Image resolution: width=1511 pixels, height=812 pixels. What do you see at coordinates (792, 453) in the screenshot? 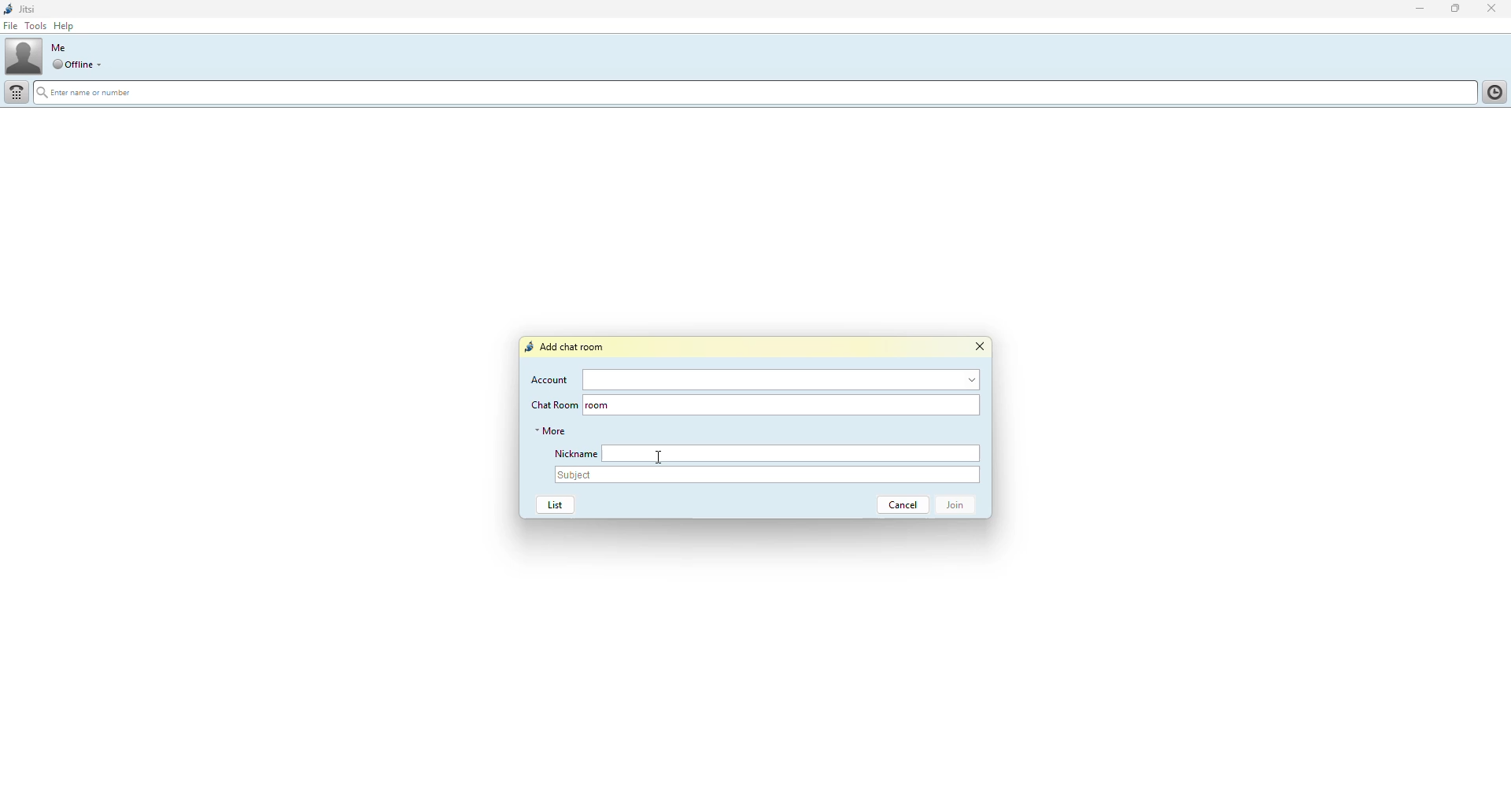
I see `nickname` at bounding box center [792, 453].